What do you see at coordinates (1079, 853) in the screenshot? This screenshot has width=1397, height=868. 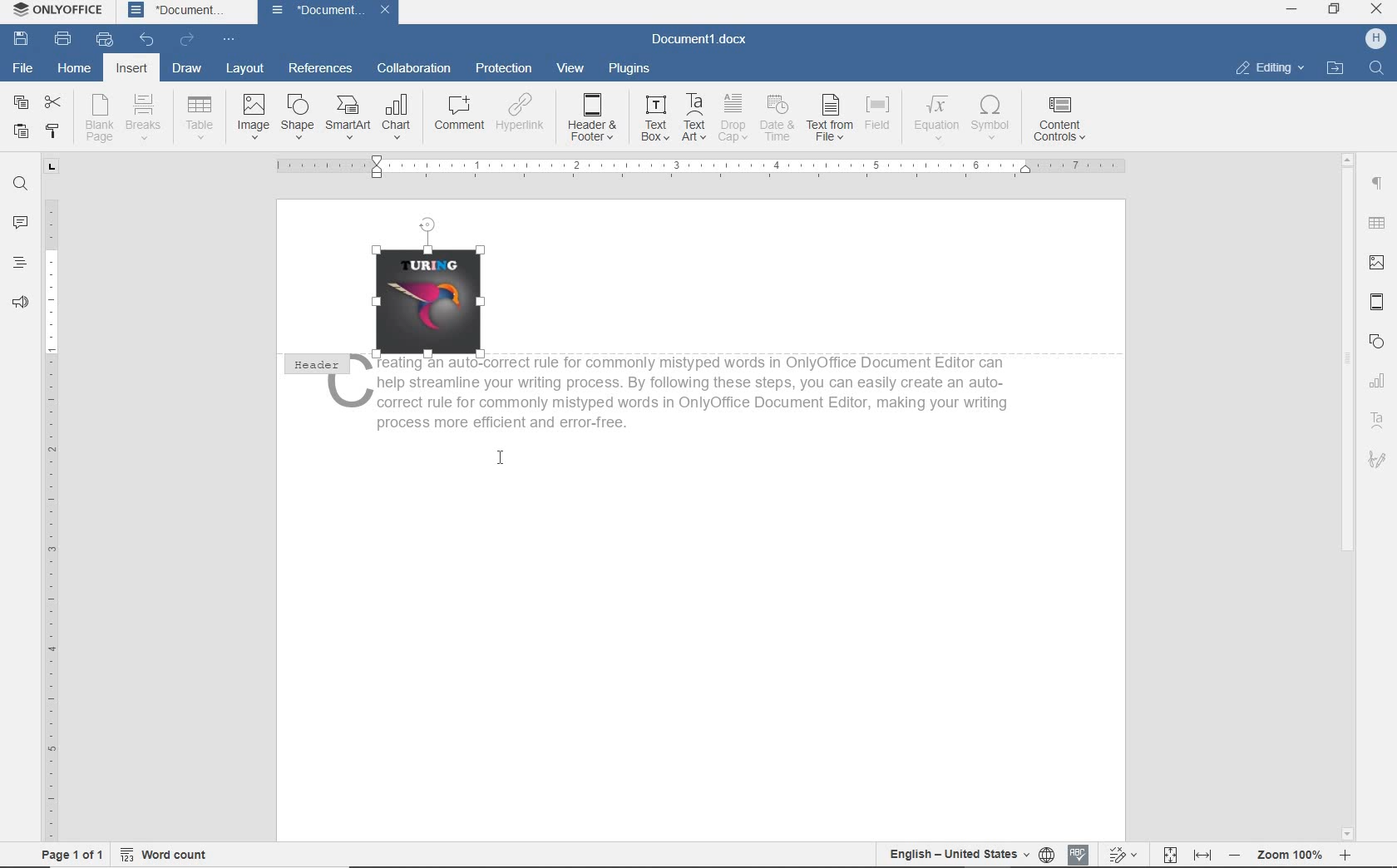 I see `SPELL CHECKING` at bounding box center [1079, 853].